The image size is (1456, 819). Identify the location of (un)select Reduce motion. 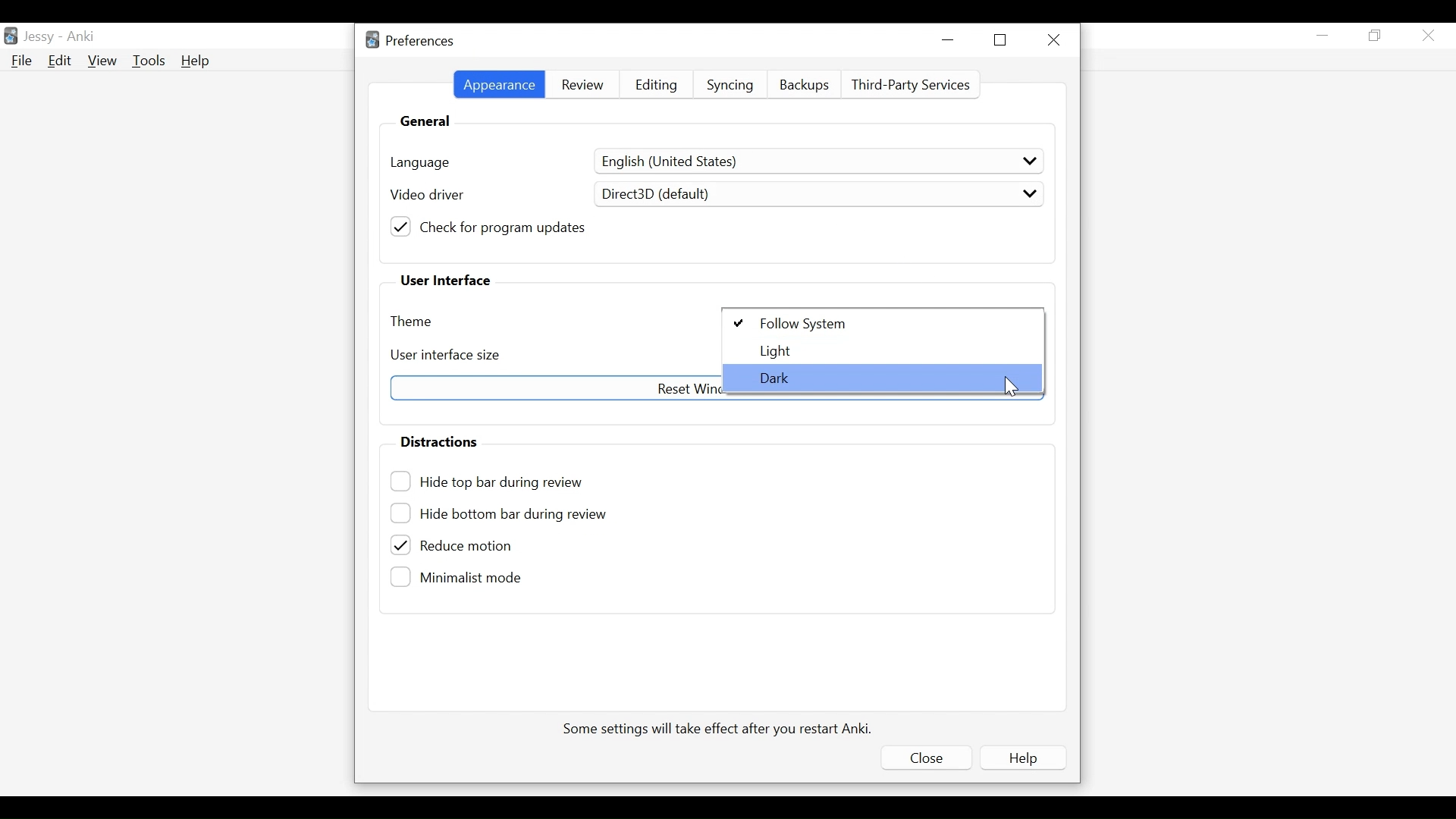
(475, 546).